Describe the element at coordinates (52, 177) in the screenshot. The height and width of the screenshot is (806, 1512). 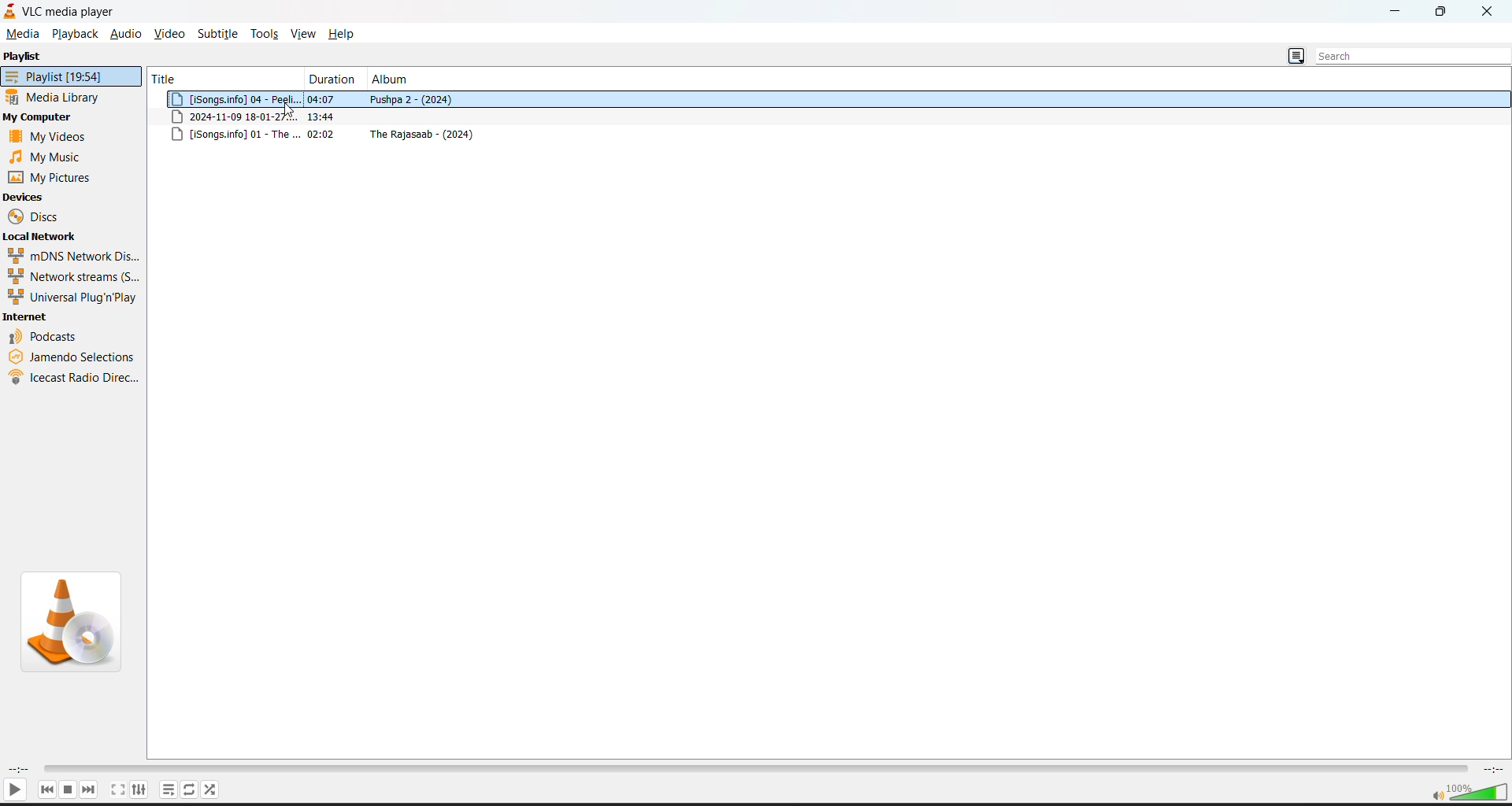
I see `pictures` at that location.